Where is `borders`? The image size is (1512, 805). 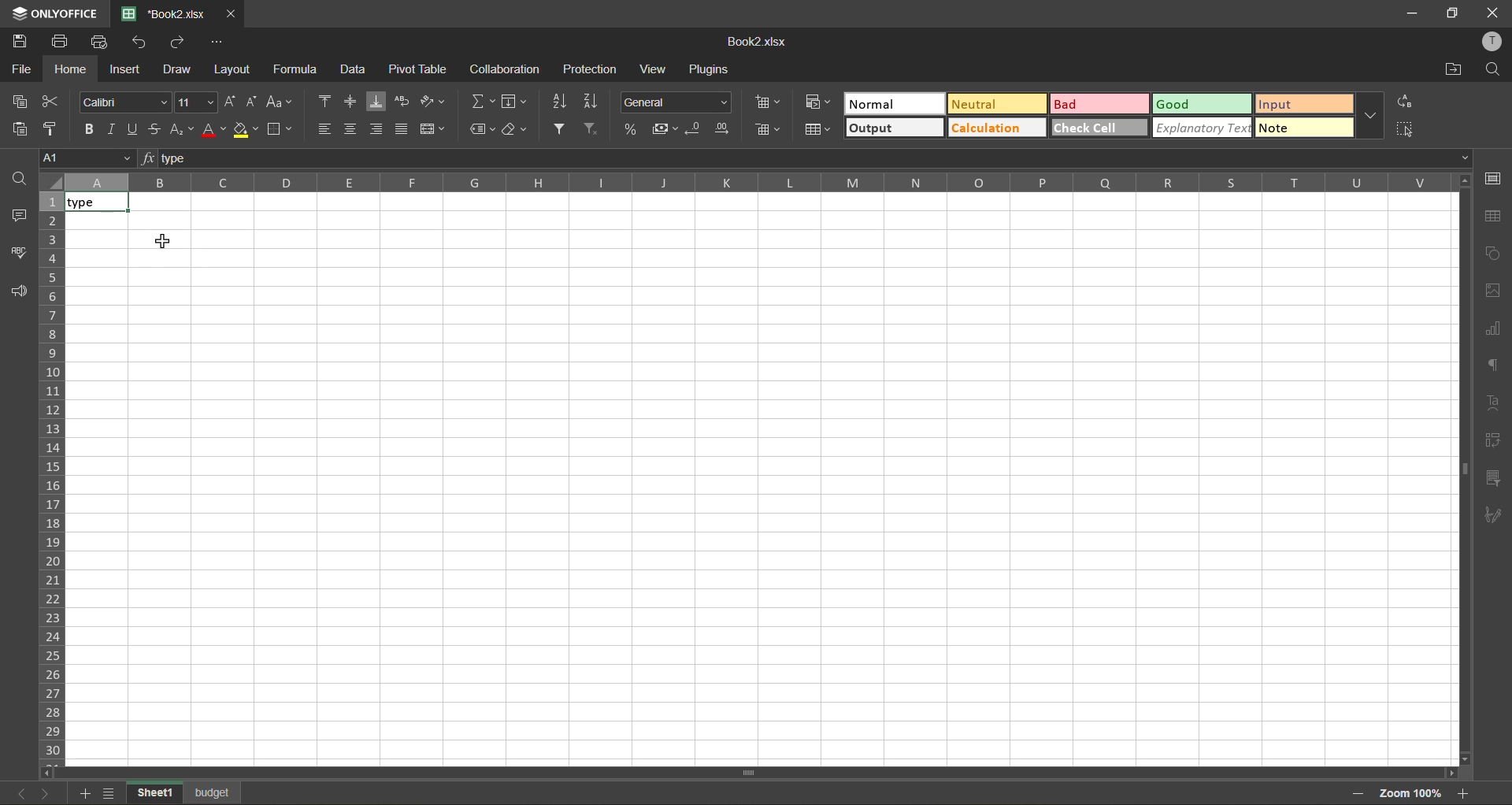
borders is located at coordinates (279, 129).